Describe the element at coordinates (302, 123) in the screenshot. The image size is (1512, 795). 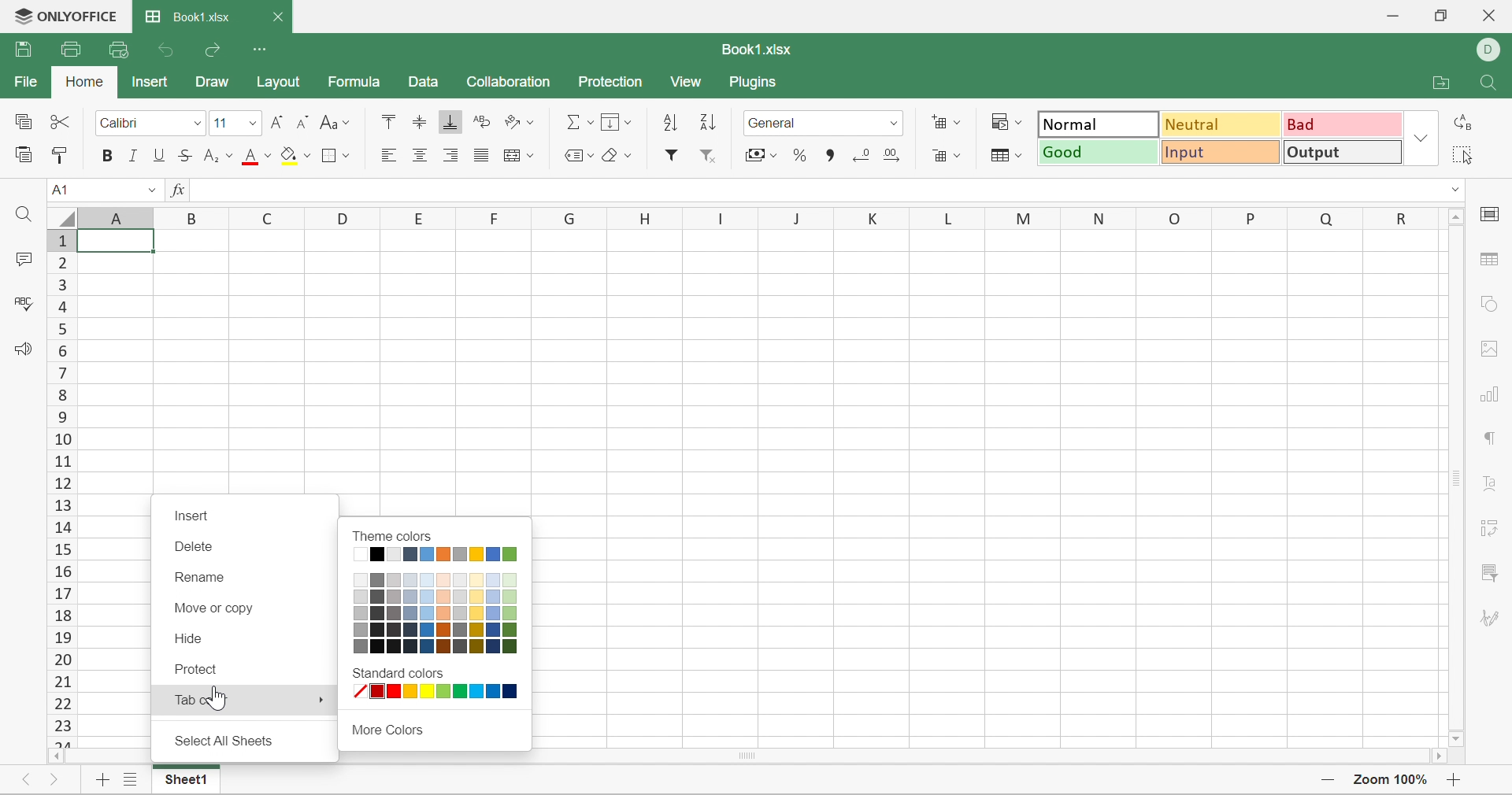
I see `Decrease font size` at that location.